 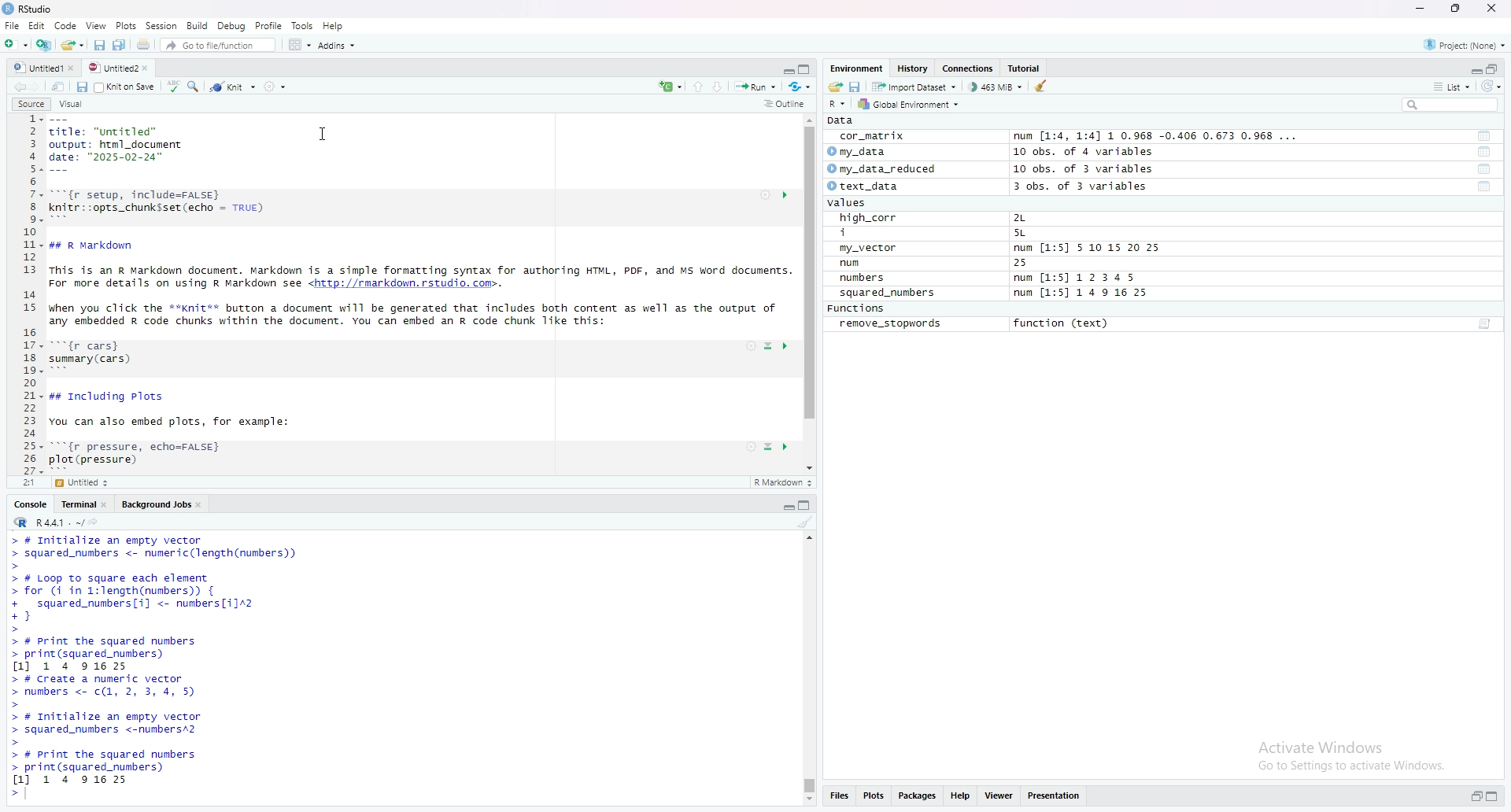 I want to click on Save, so click(x=84, y=87).